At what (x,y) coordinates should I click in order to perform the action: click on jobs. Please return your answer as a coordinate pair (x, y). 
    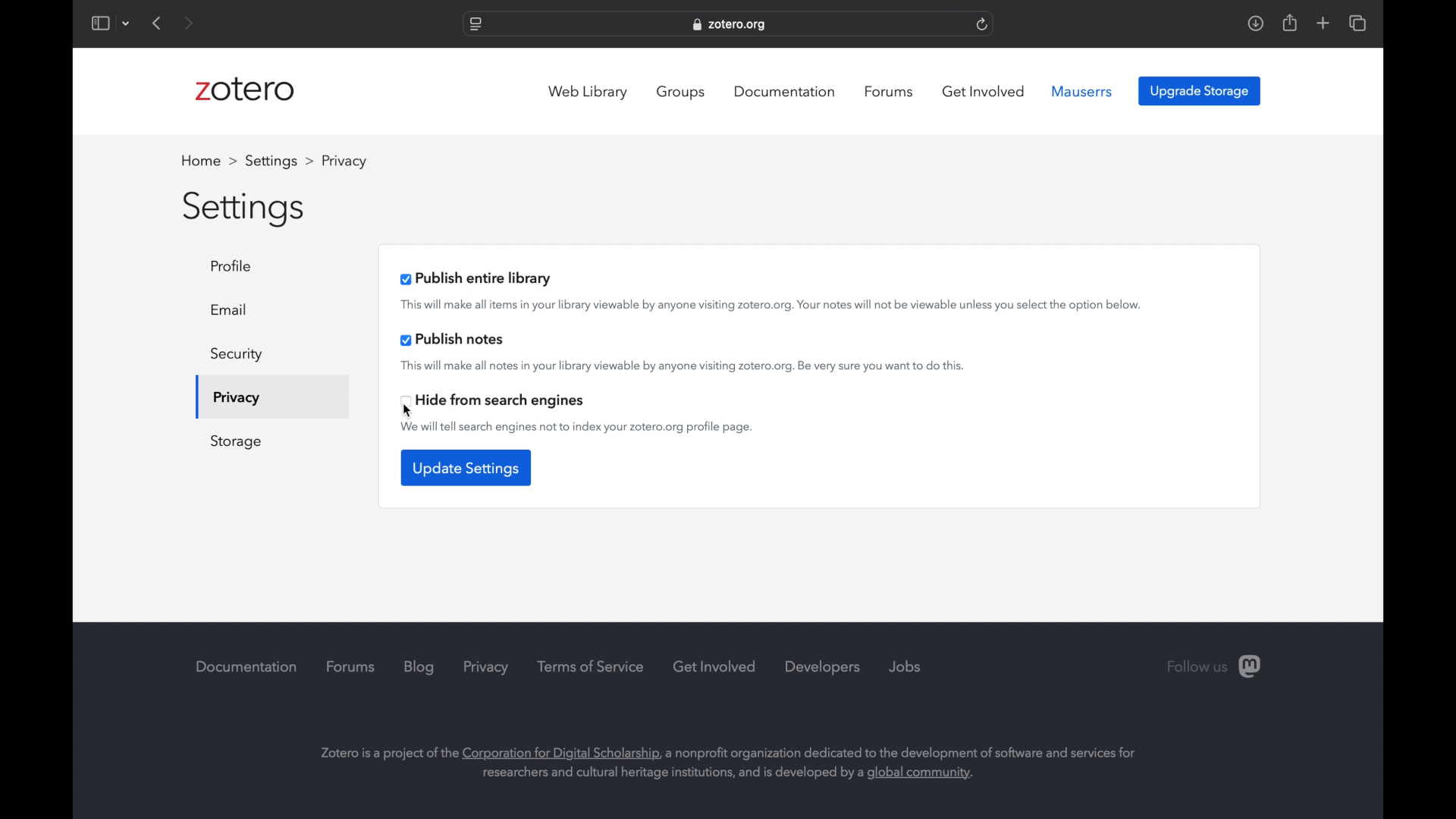
    Looking at the image, I should click on (905, 667).